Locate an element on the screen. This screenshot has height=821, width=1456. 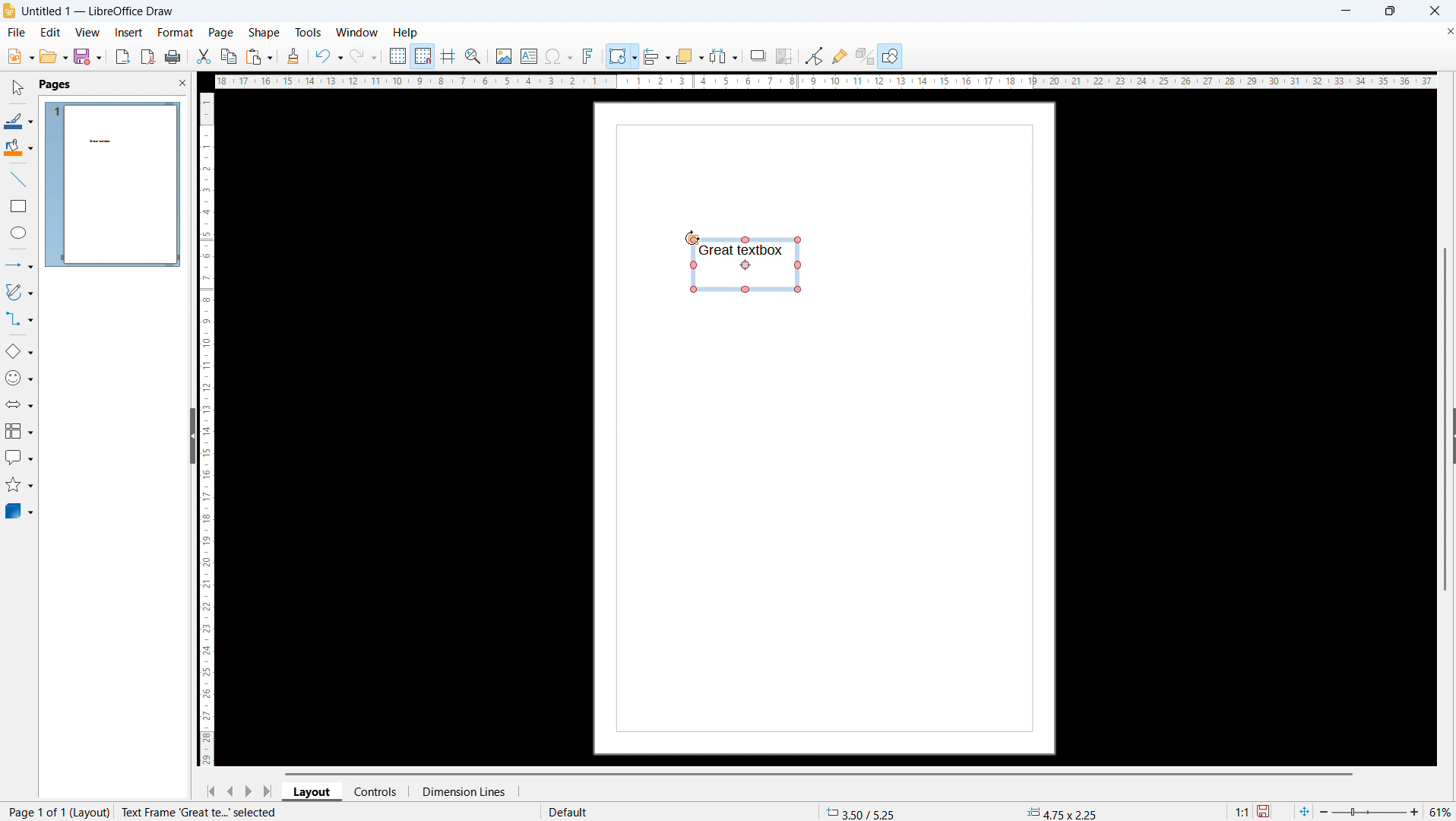
page number is located at coordinates (137, 813).